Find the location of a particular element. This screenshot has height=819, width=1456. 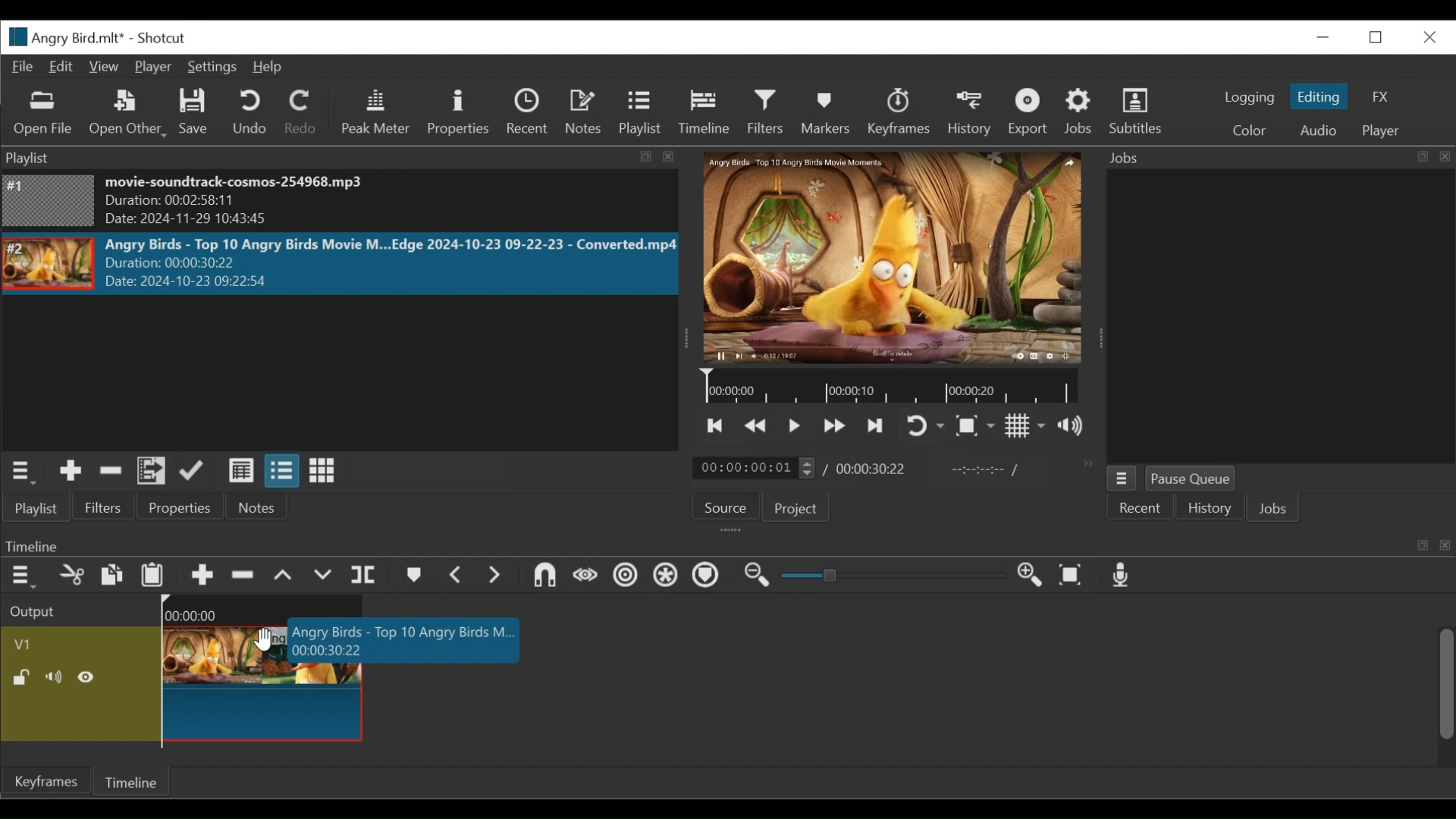

Shotcut is located at coordinates (165, 38).